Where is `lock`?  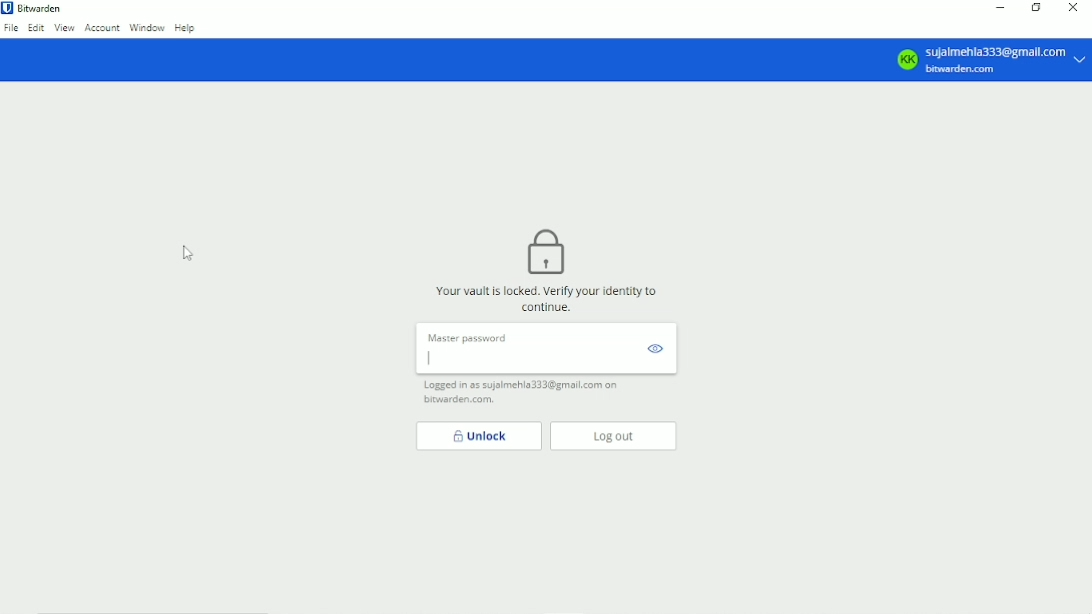
lock is located at coordinates (546, 248).